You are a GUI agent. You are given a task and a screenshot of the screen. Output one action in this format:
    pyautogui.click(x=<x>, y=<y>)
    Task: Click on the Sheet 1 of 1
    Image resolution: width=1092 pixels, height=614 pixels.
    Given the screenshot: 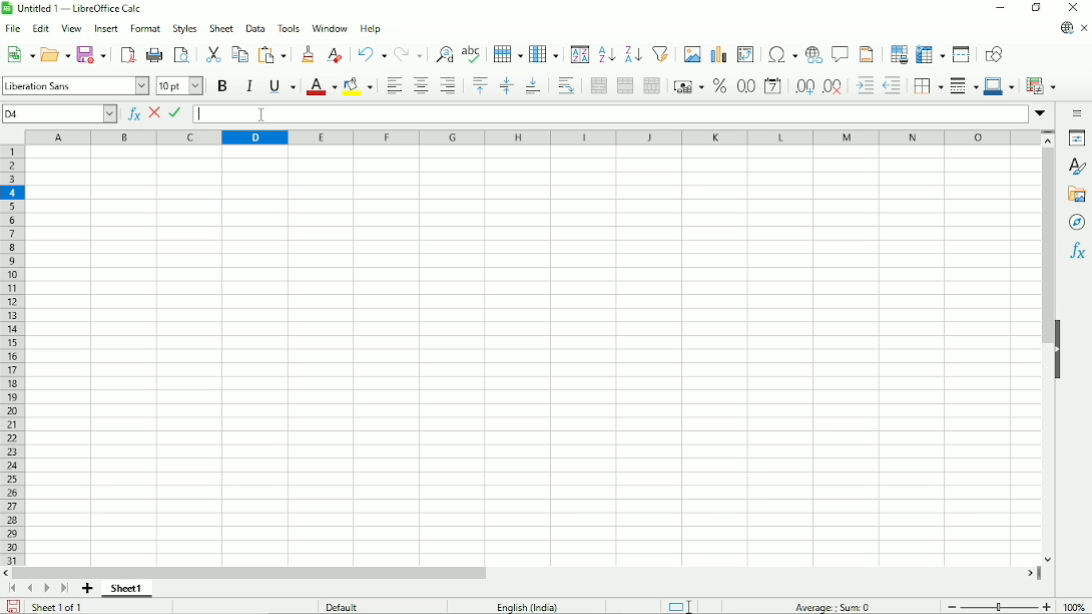 What is the action you would take?
    pyautogui.click(x=57, y=606)
    